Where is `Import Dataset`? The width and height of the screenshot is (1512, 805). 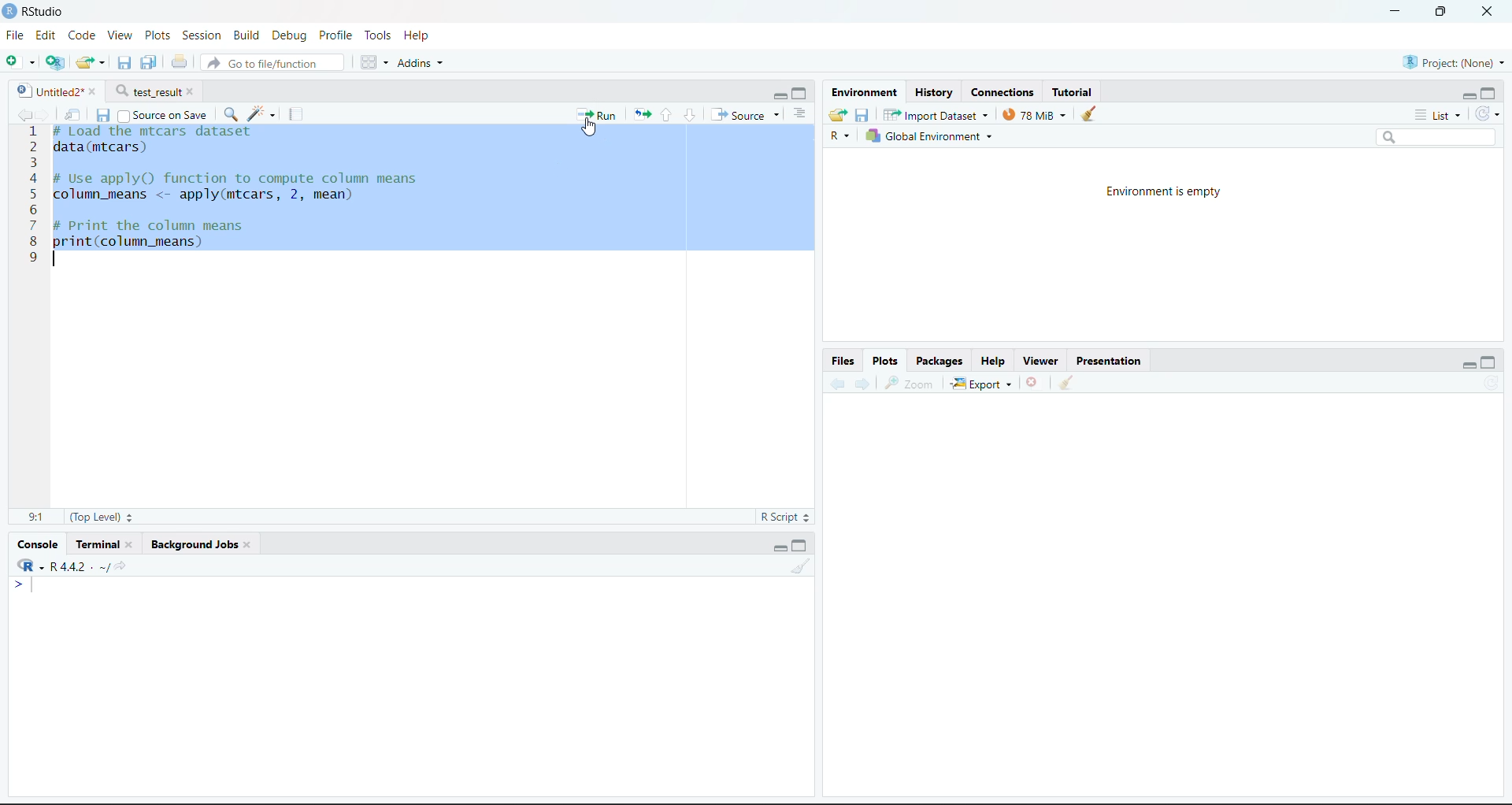
Import Dataset is located at coordinates (936, 114).